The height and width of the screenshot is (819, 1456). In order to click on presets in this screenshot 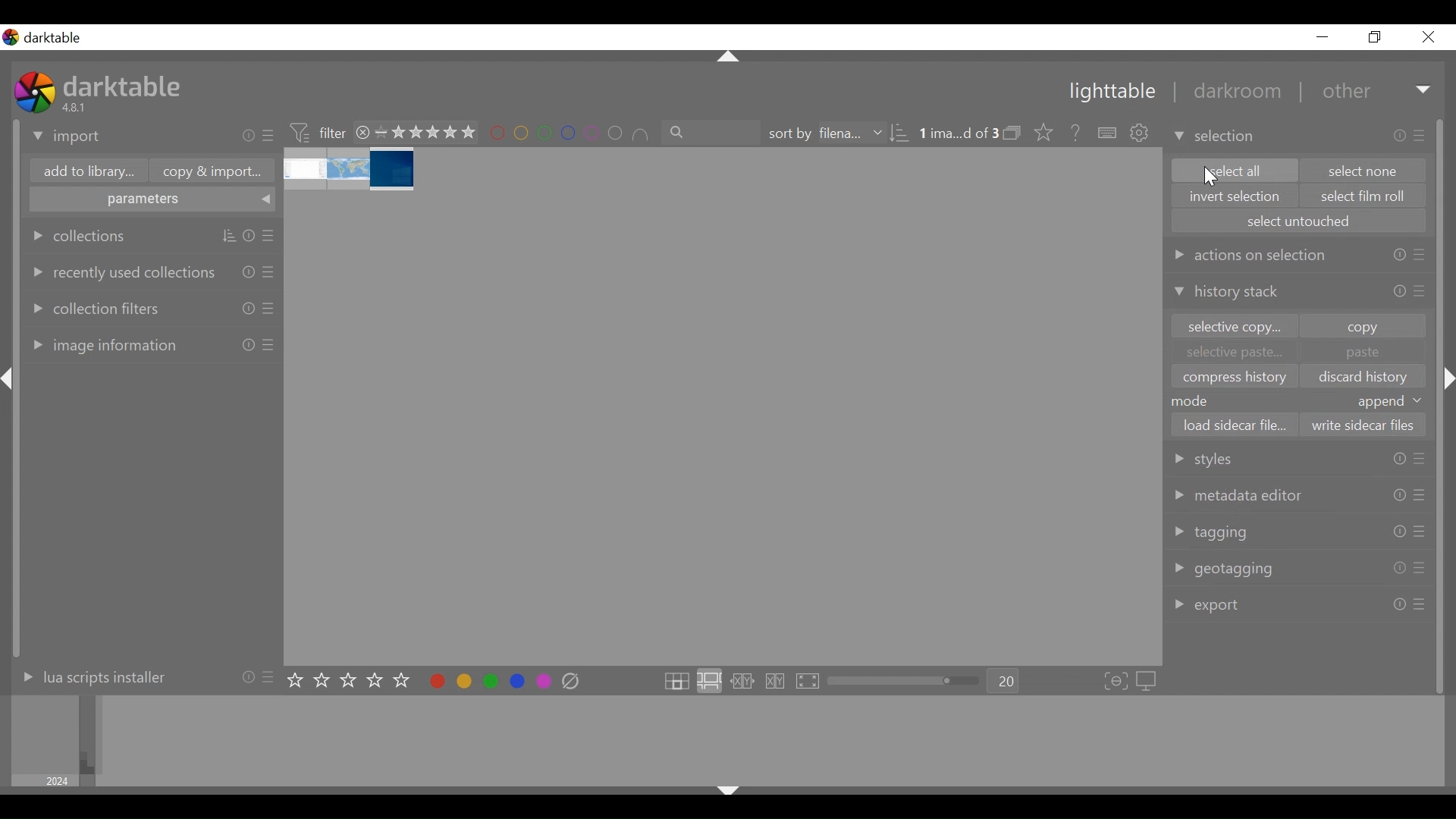, I will do `click(270, 271)`.